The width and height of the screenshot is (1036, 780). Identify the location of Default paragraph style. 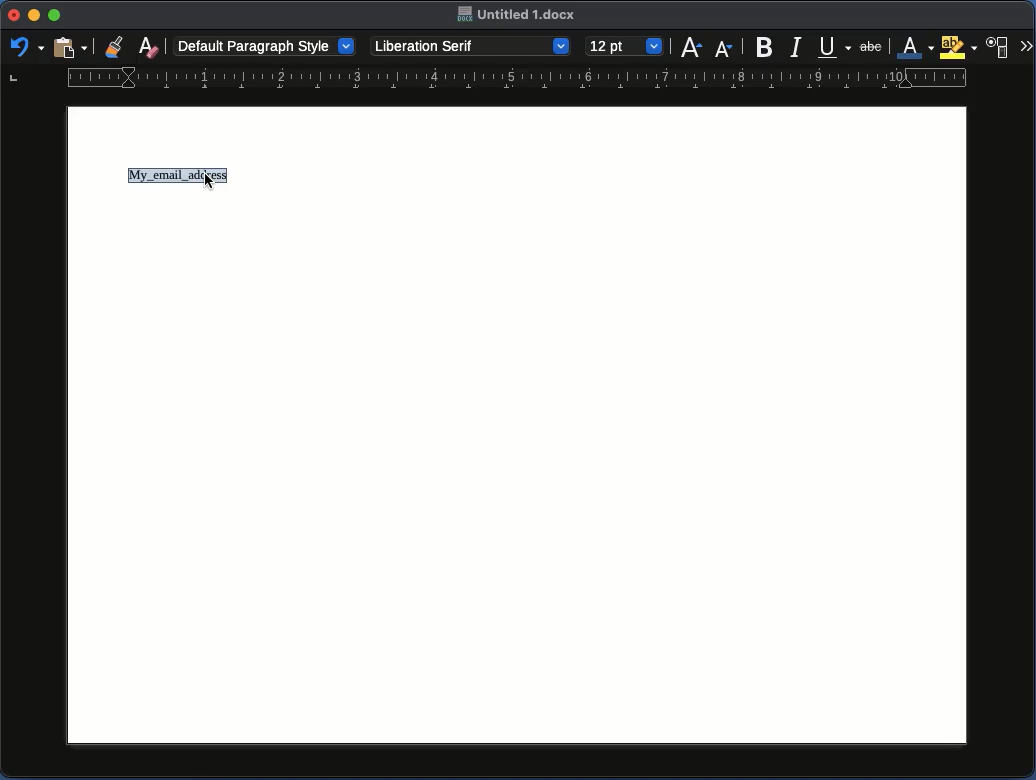
(265, 45).